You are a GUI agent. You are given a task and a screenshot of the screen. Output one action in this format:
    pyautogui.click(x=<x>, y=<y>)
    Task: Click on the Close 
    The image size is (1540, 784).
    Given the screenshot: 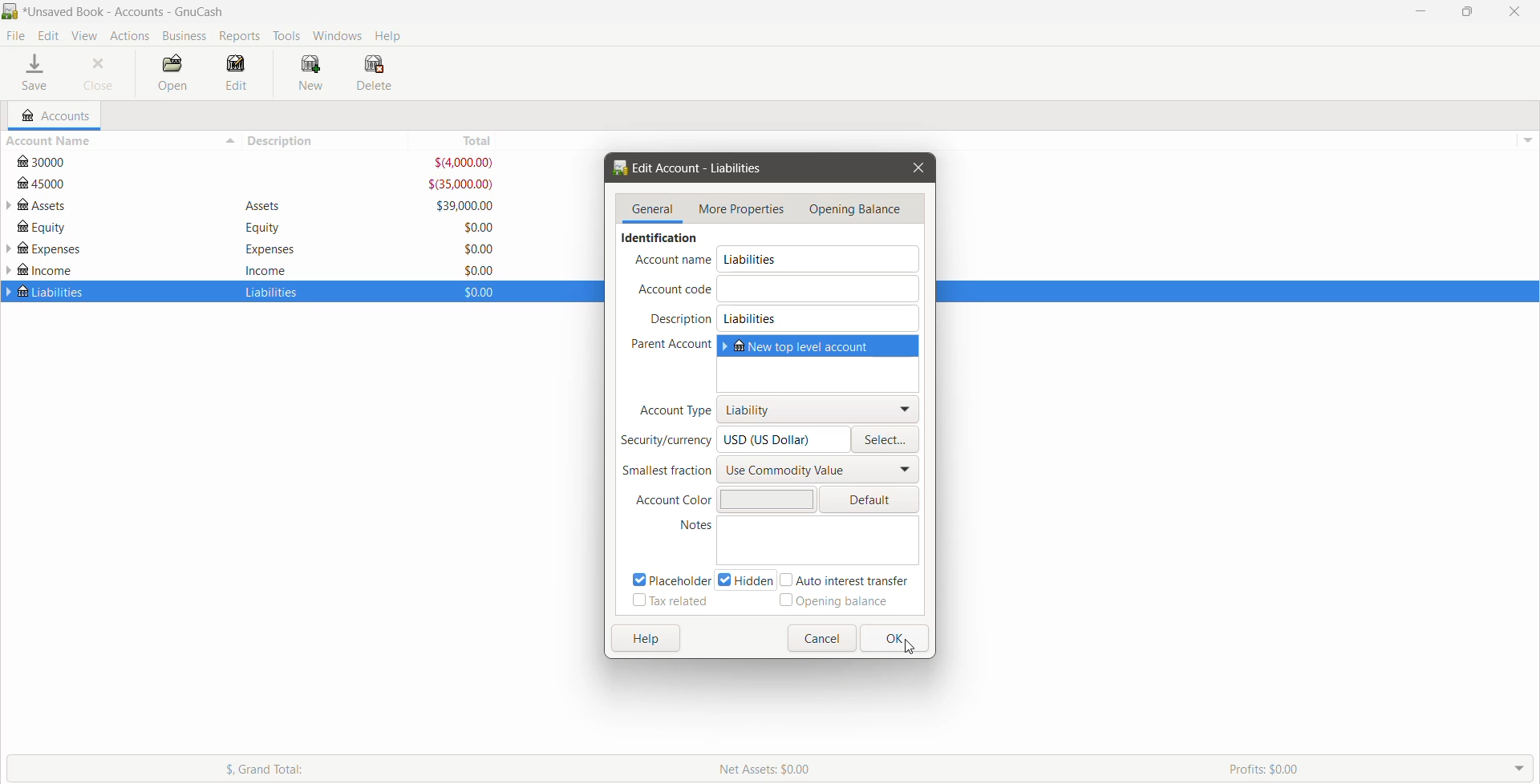 What is the action you would take?
    pyautogui.click(x=917, y=168)
    